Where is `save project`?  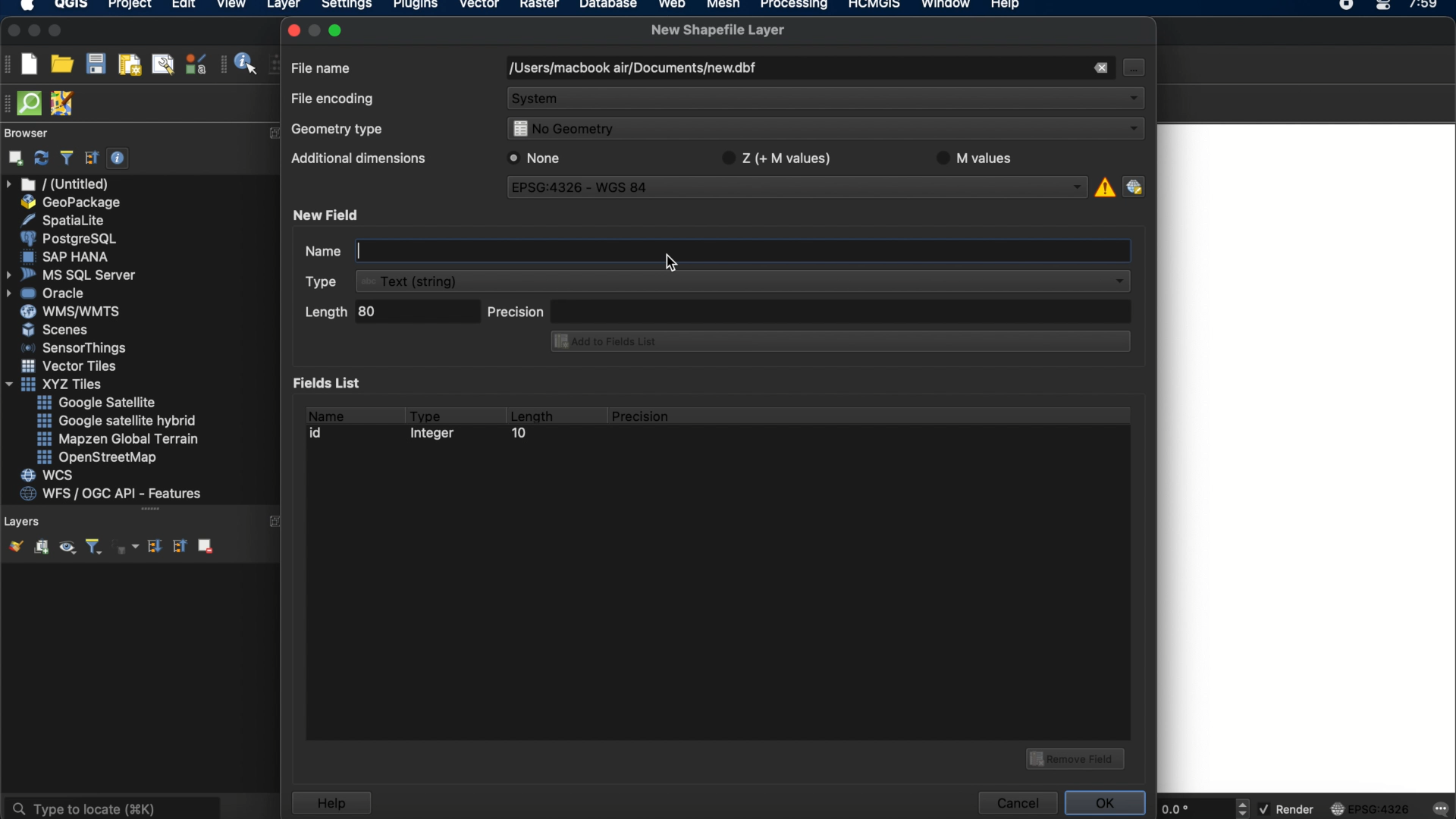 save project is located at coordinates (95, 64).